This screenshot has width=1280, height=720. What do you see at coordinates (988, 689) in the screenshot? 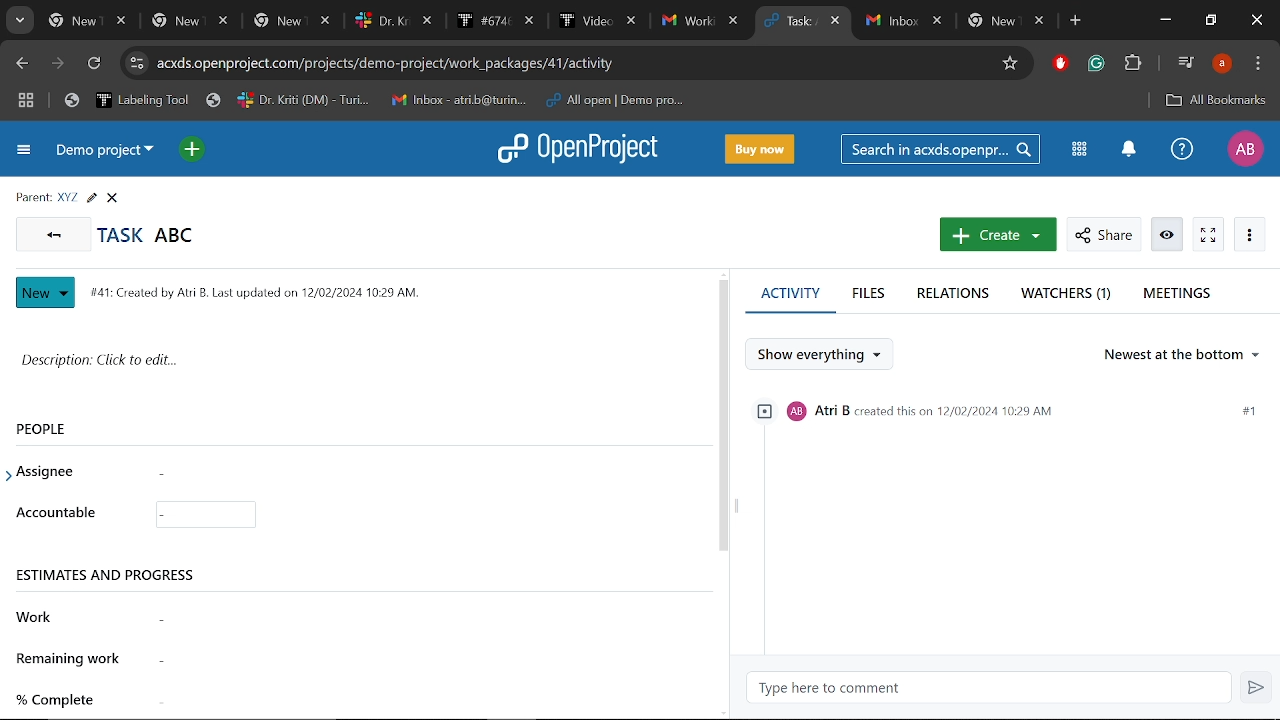
I see `Type here to comment` at bounding box center [988, 689].